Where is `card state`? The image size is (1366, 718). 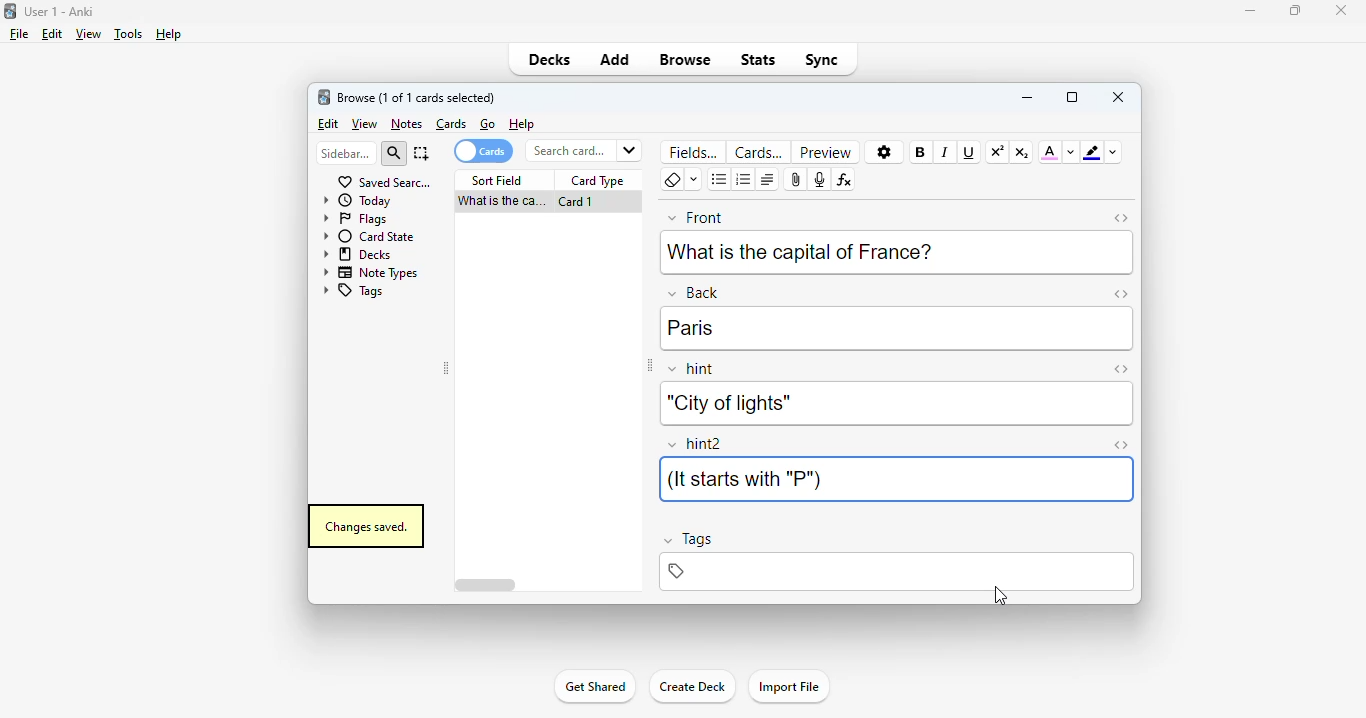 card state is located at coordinates (368, 236).